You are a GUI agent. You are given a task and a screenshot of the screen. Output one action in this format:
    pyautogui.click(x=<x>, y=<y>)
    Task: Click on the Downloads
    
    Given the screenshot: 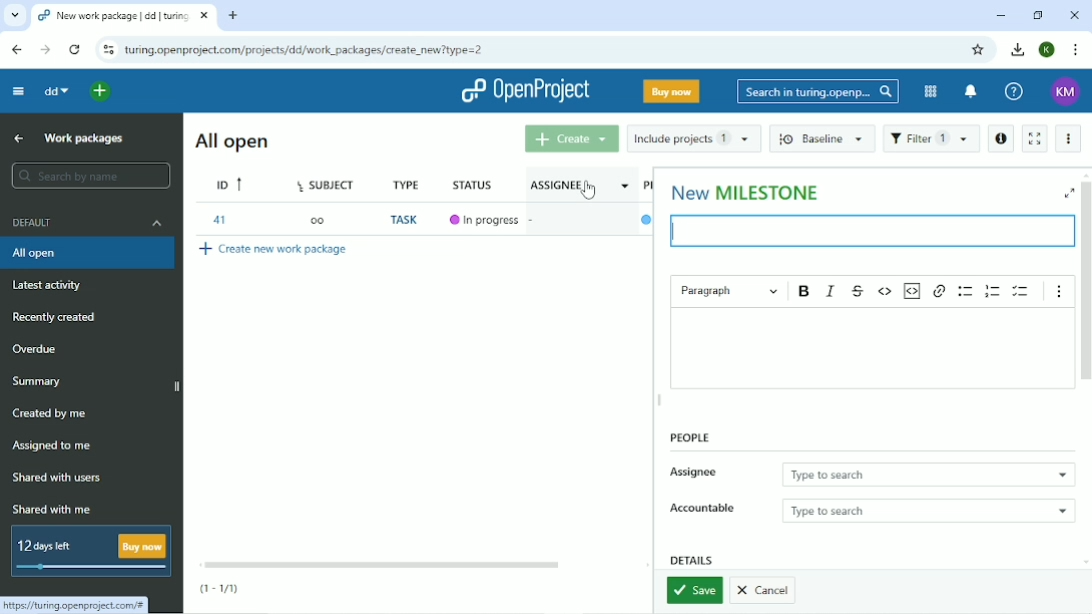 What is the action you would take?
    pyautogui.click(x=1018, y=49)
    